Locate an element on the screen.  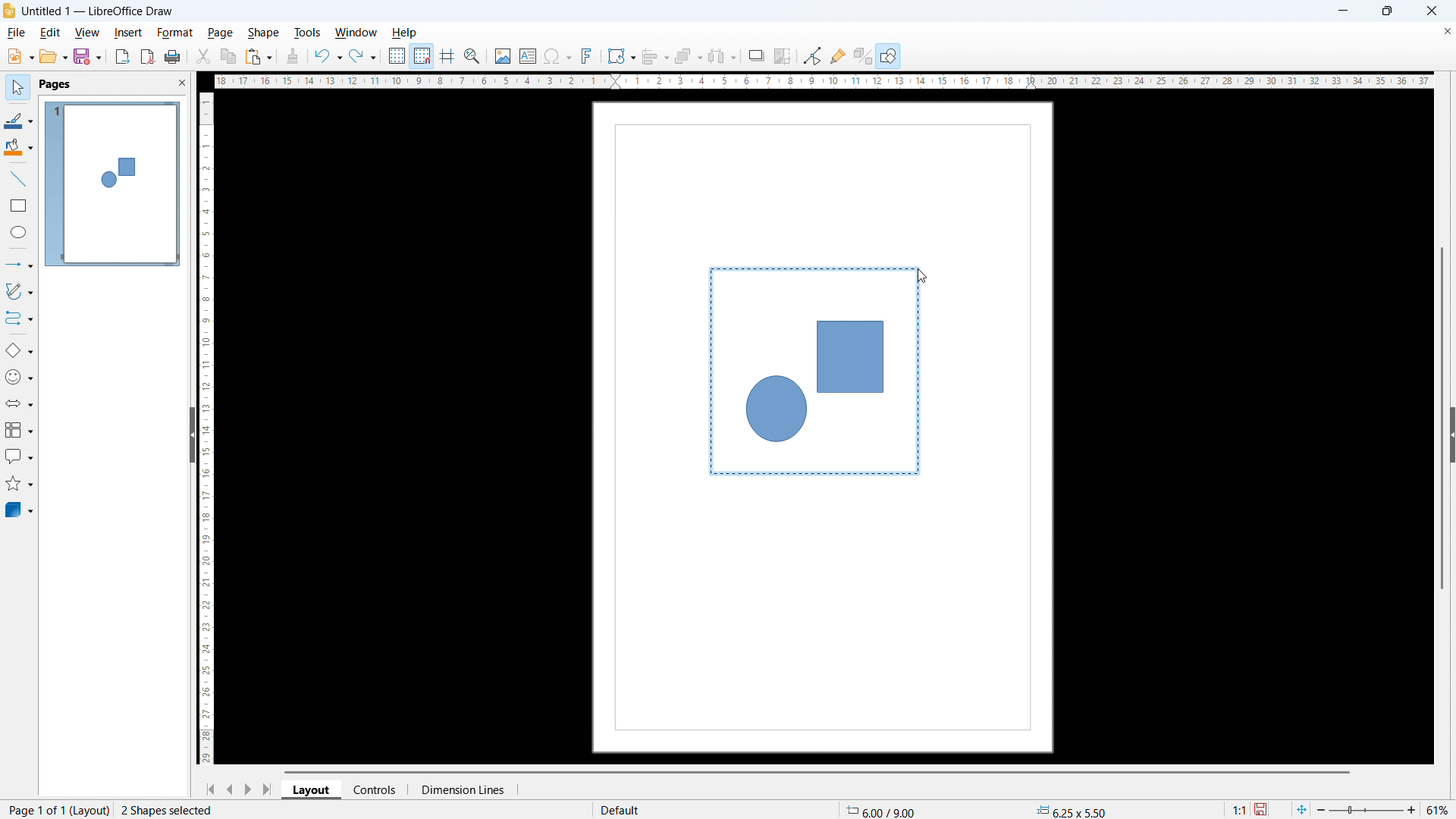
print is located at coordinates (174, 57).